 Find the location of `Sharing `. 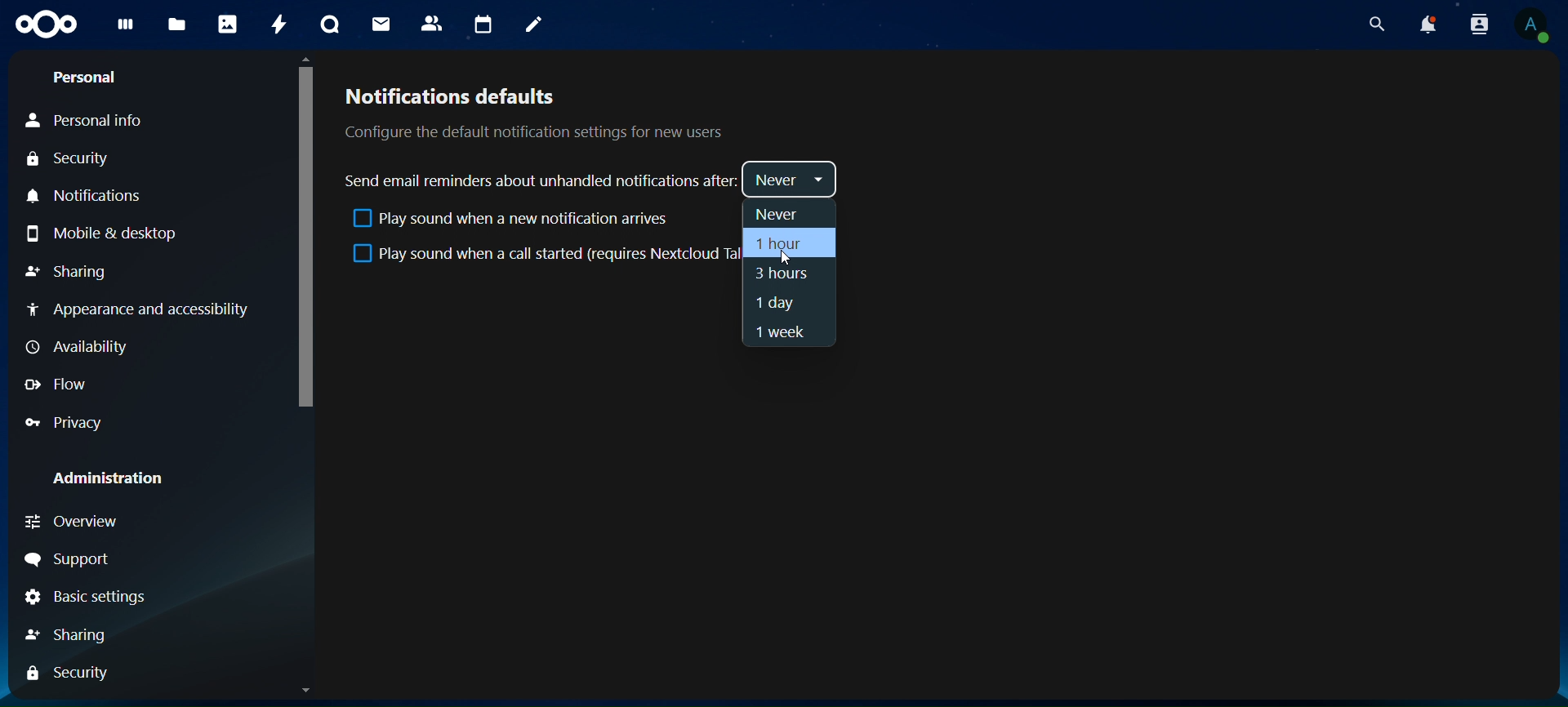

Sharing  is located at coordinates (67, 271).